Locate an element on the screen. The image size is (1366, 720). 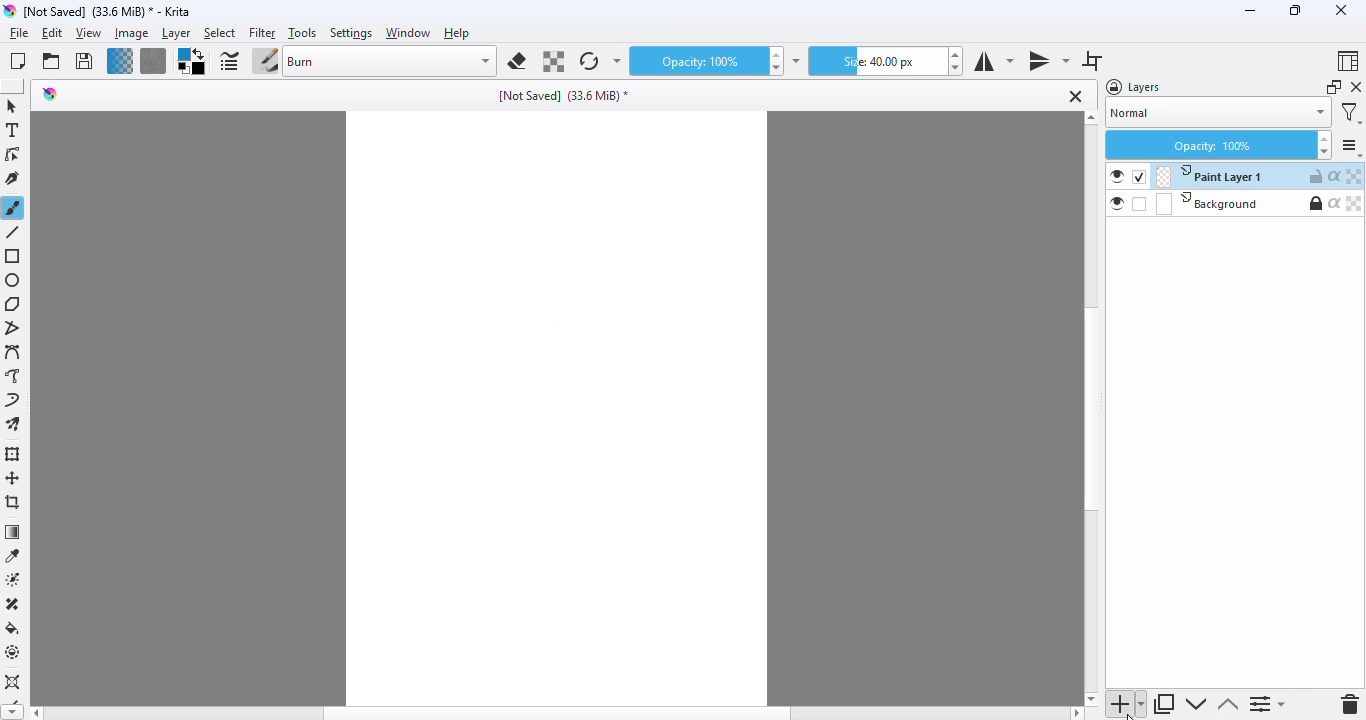
delete the layer or mask is located at coordinates (1351, 704).